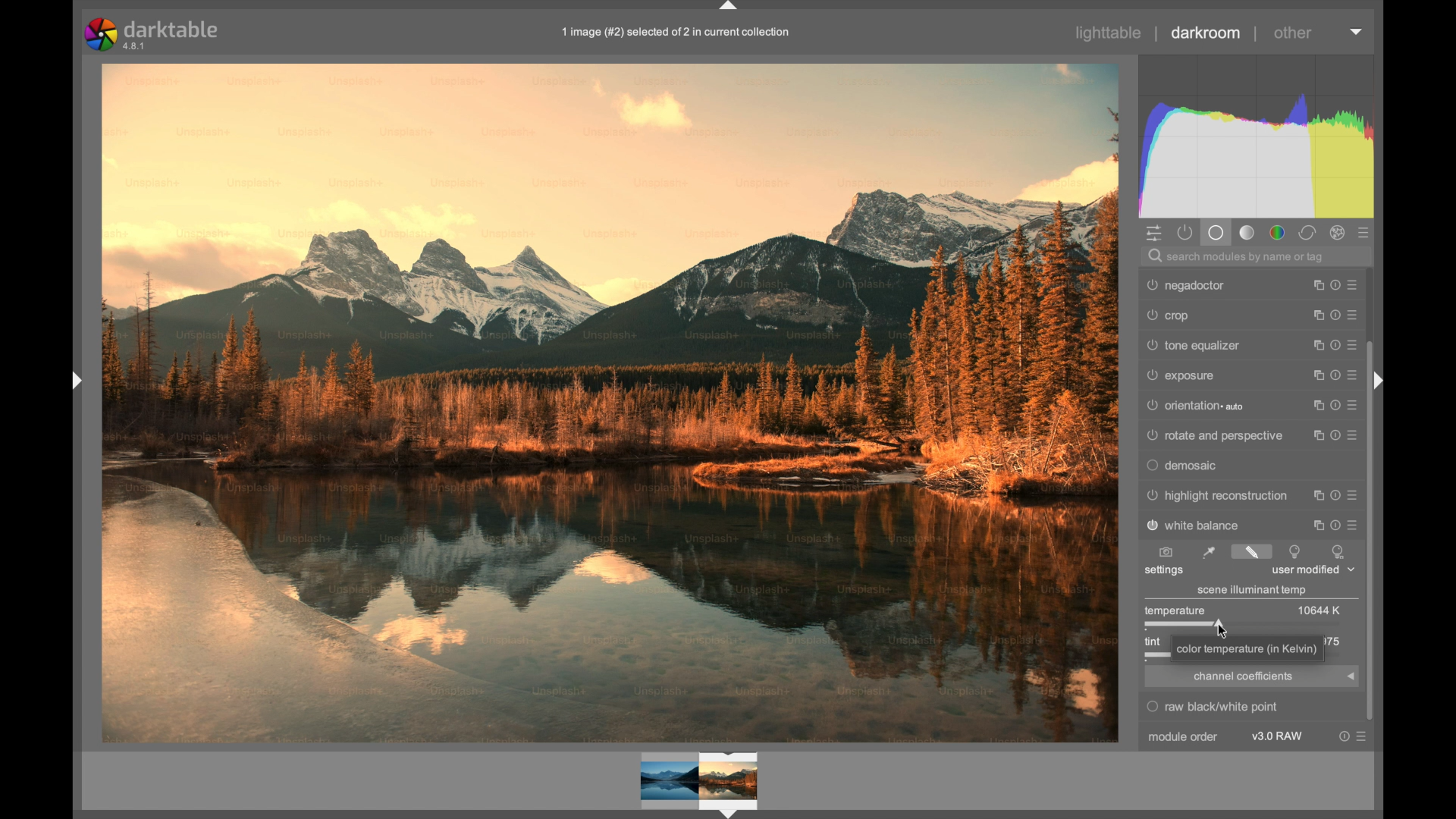 The height and width of the screenshot is (819, 1456). What do you see at coordinates (1316, 282) in the screenshot?
I see `instance` at bounding box center [1316, 282].